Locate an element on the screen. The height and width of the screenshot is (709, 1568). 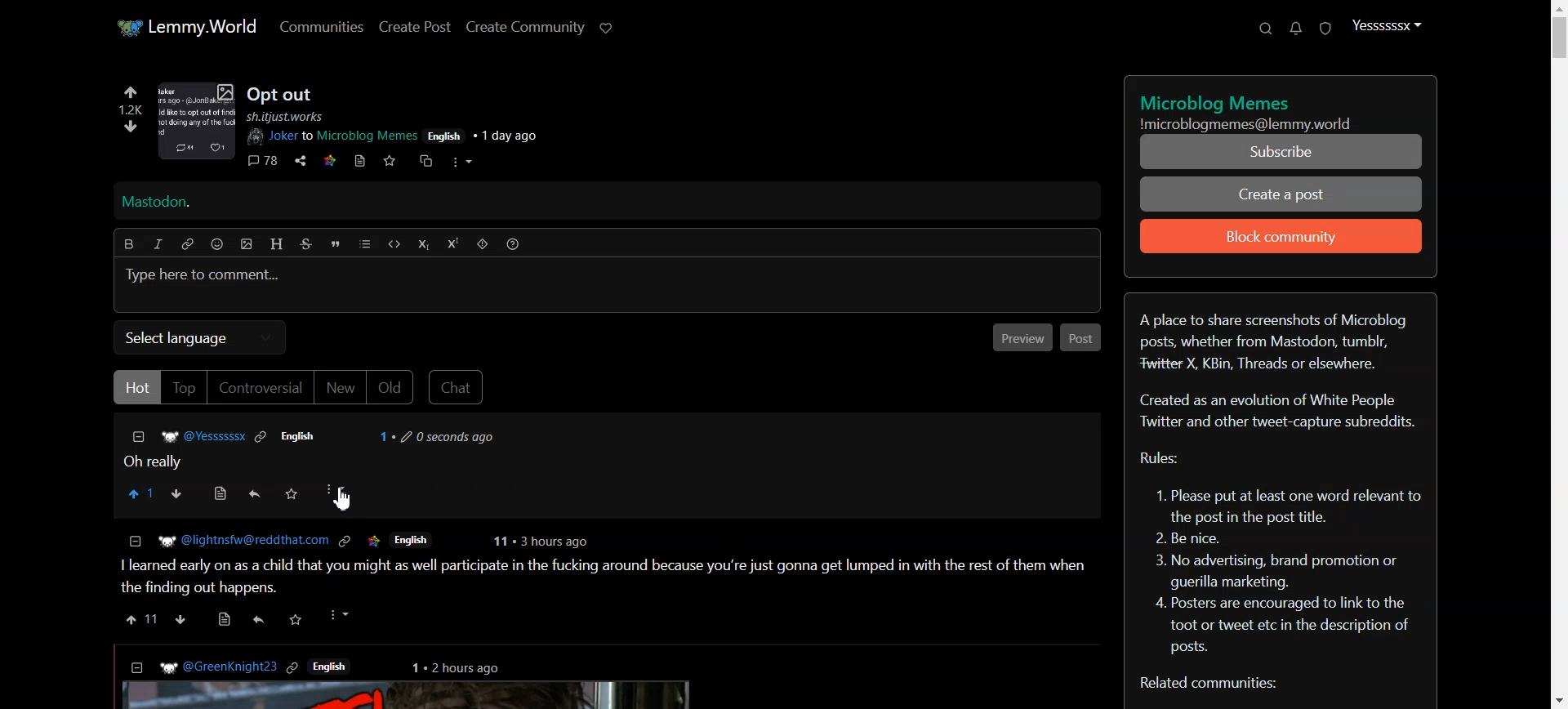
Downvote is located at coordinates (180, 493).